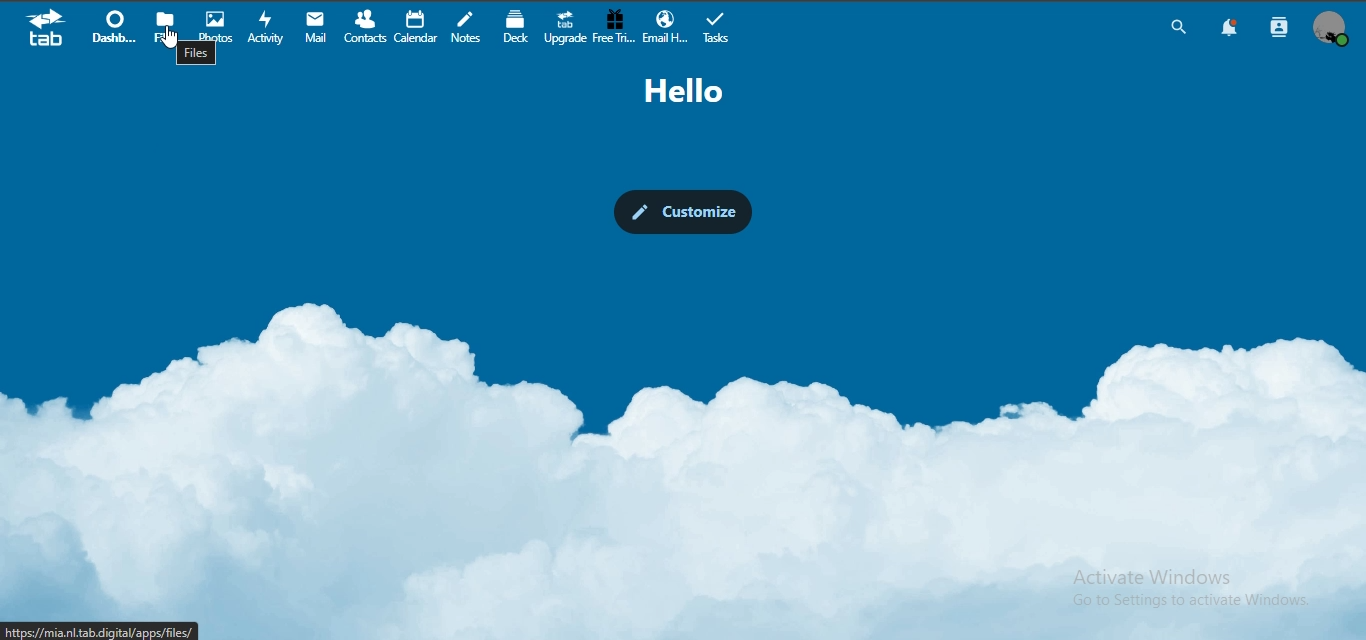 The image size is (1366, 640). What do you see at coordinates (566, 26) in the screenshot?
I see `upgrade` at bounding box center [566, 26].